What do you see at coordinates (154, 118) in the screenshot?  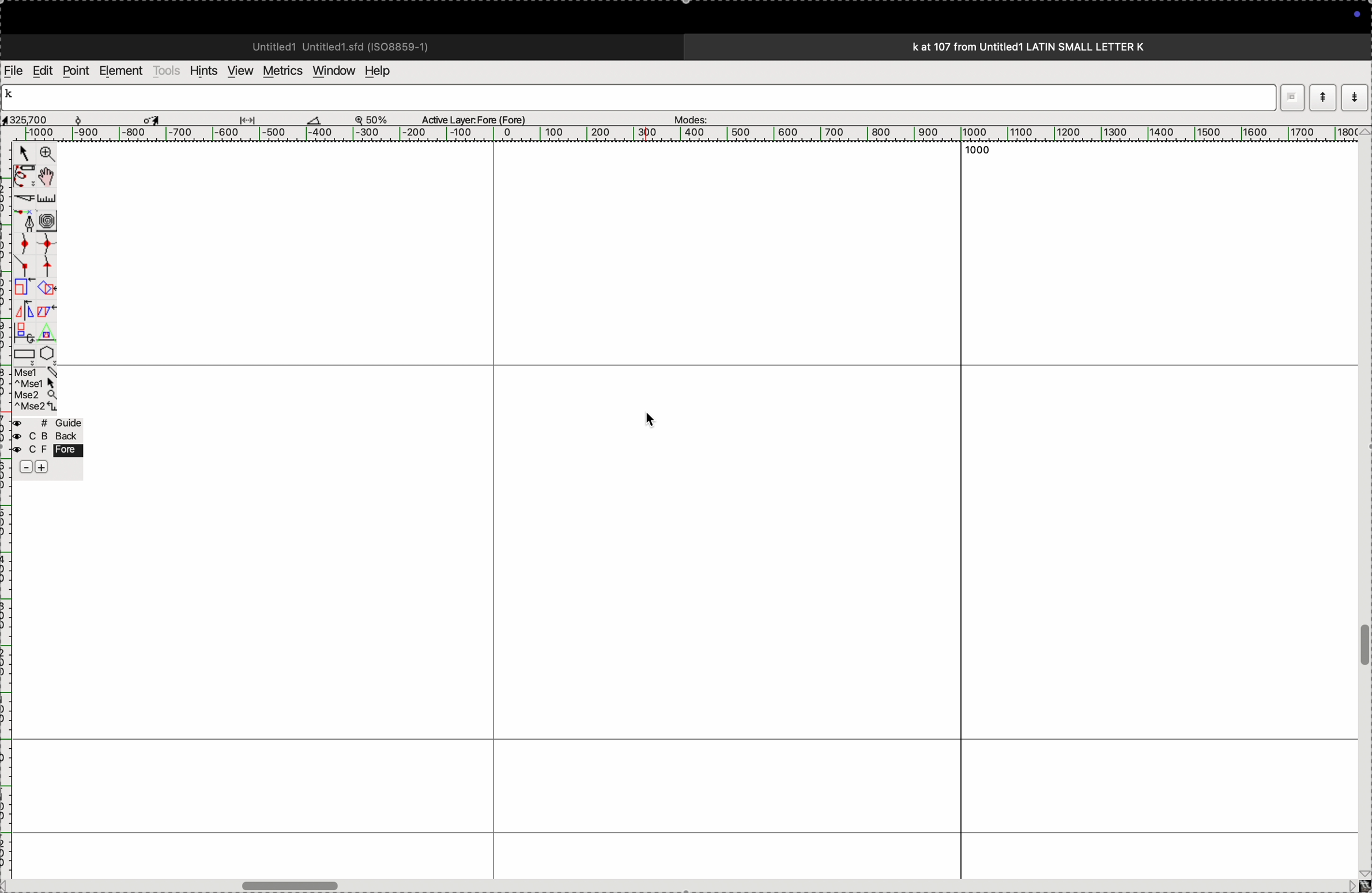 I see `cursor` at bounding box center [154, 118].